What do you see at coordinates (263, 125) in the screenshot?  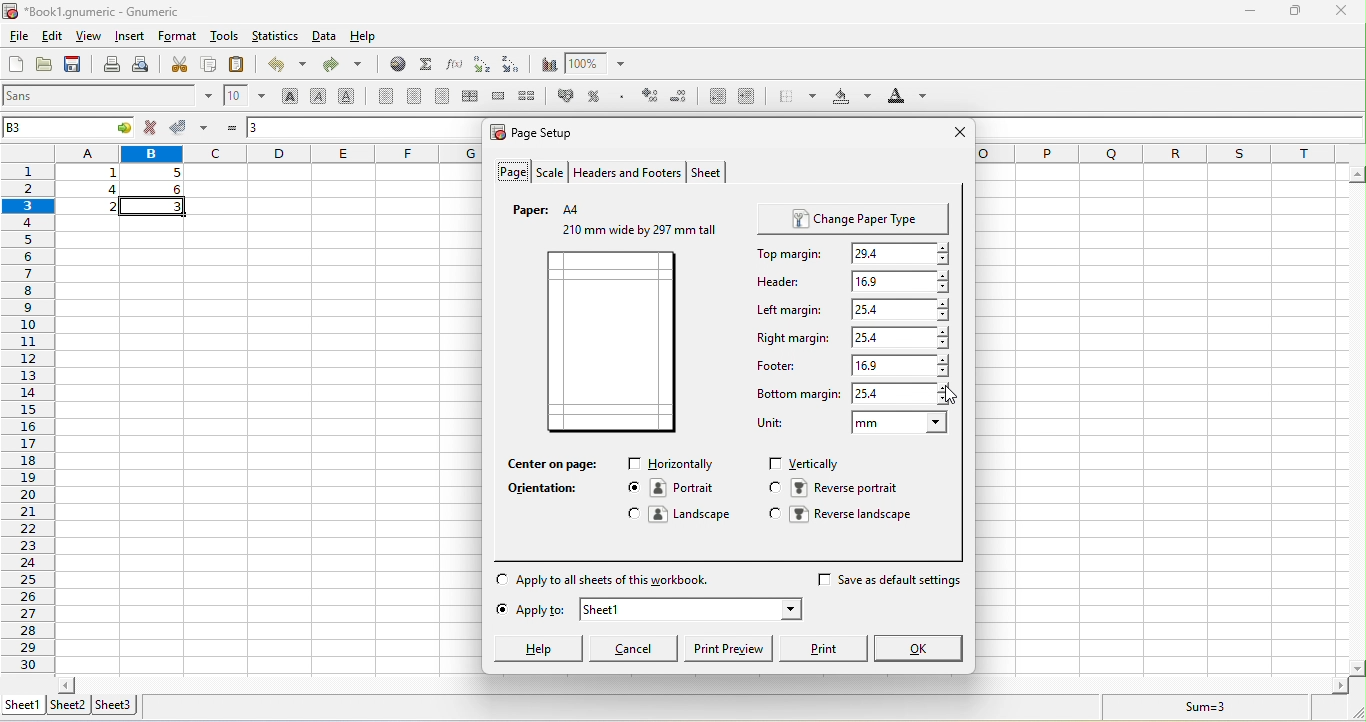 I see `3` at bounding box center [263, 125].